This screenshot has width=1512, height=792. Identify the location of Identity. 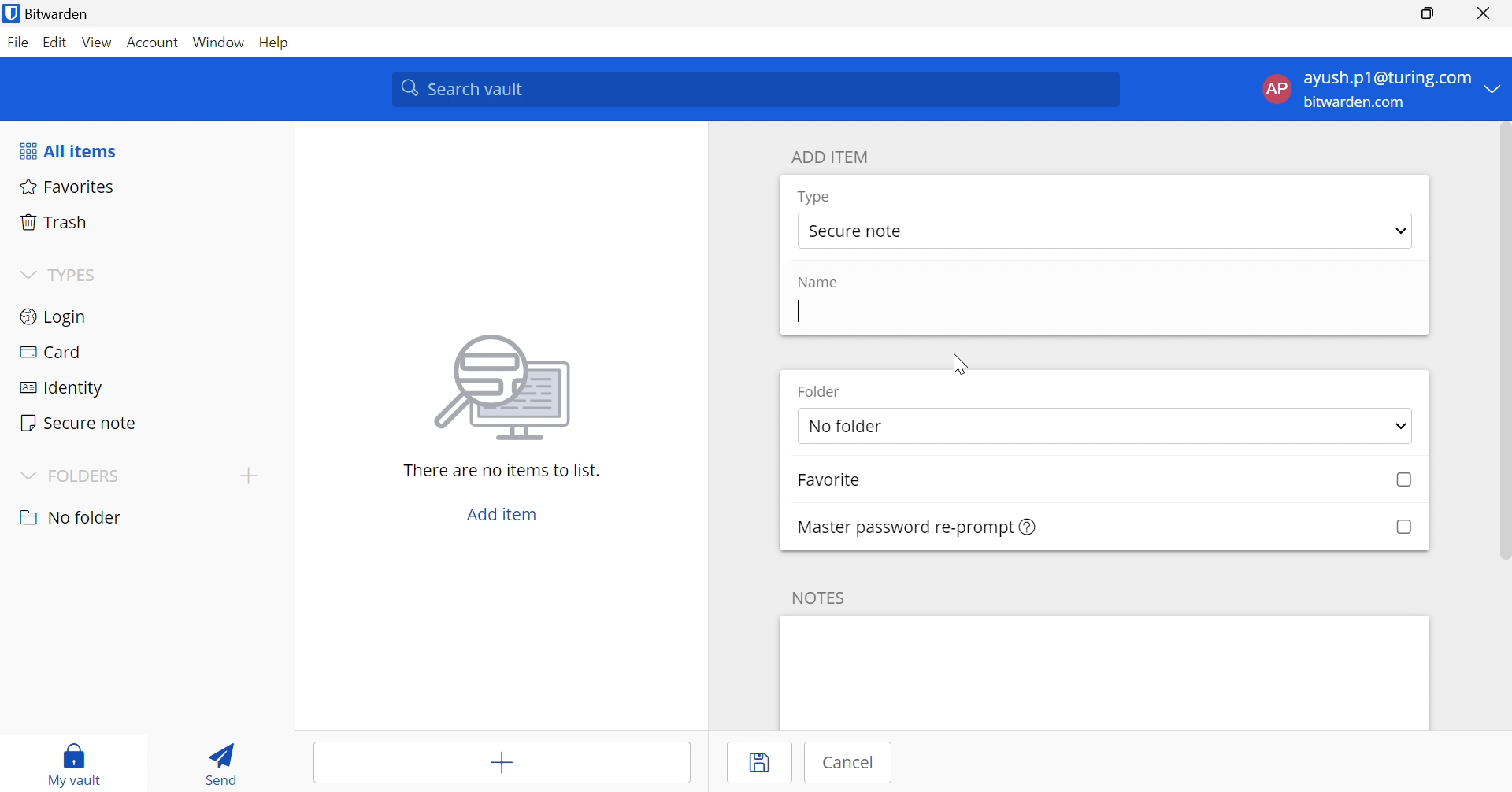
(140, 383).